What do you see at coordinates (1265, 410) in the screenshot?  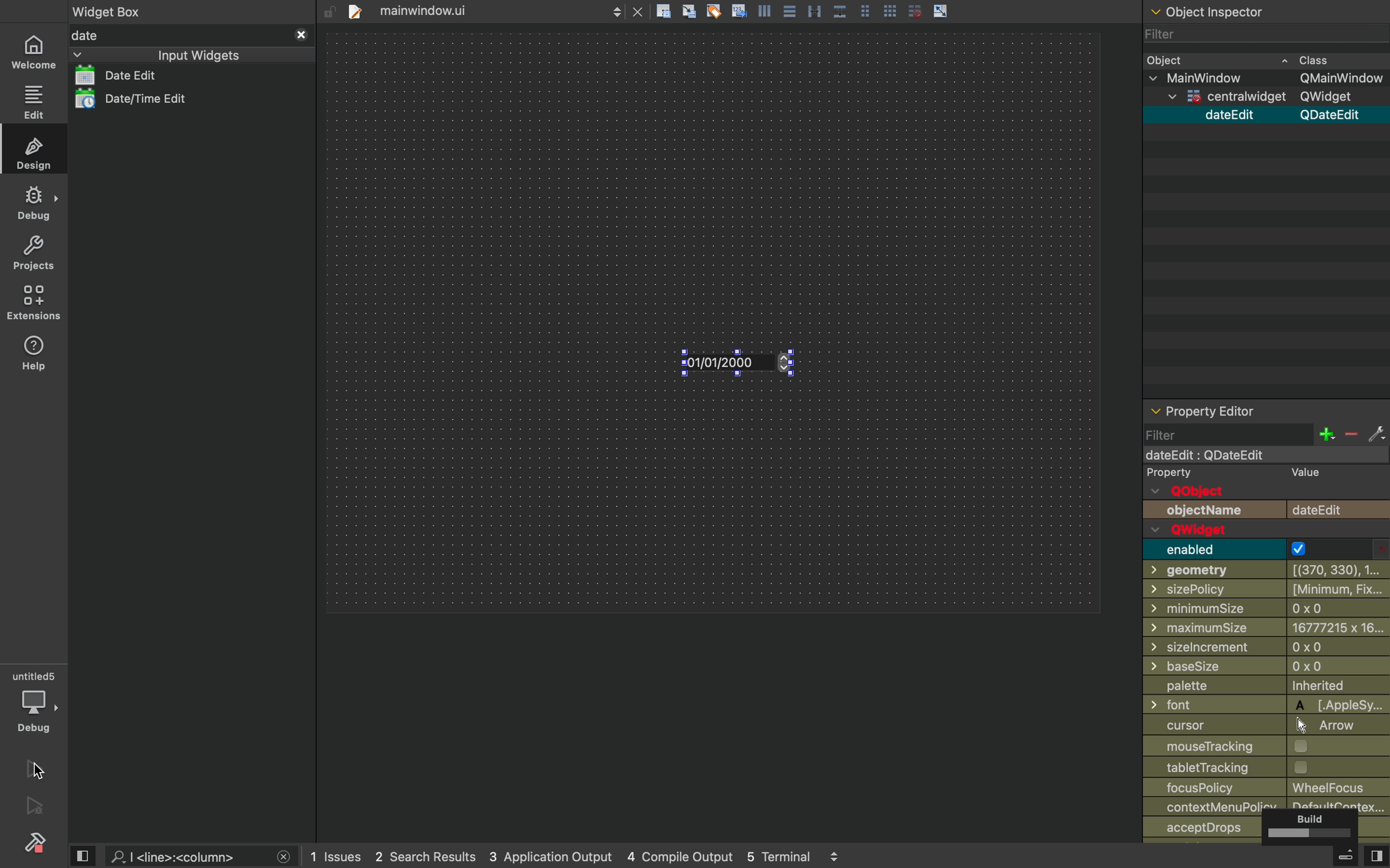 I see `property editor` at bounding box center [1265, 410].